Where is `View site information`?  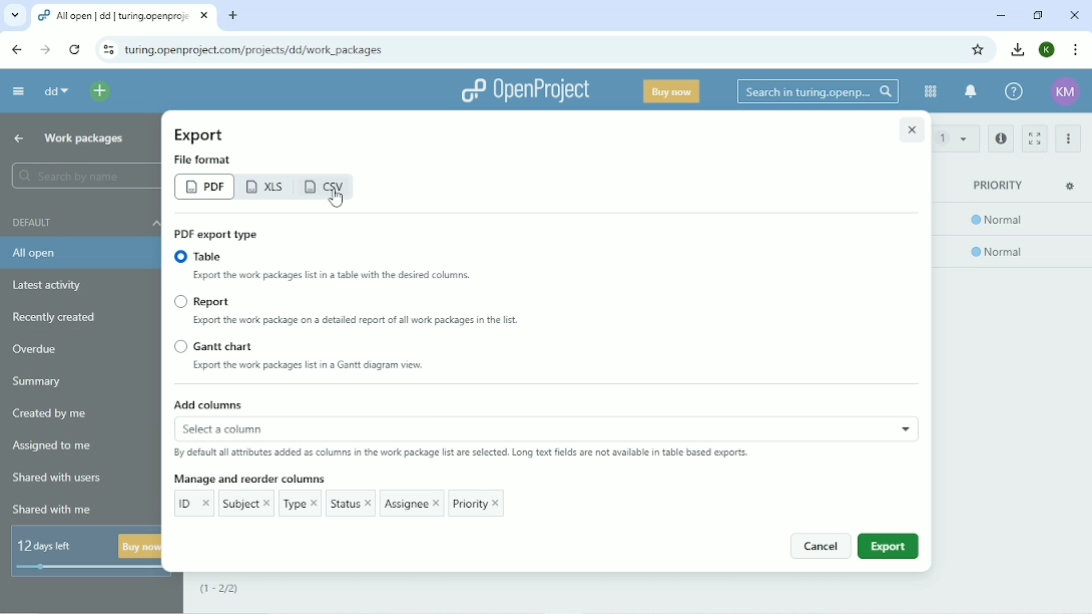 View site information is located at coordinates (108, 49).